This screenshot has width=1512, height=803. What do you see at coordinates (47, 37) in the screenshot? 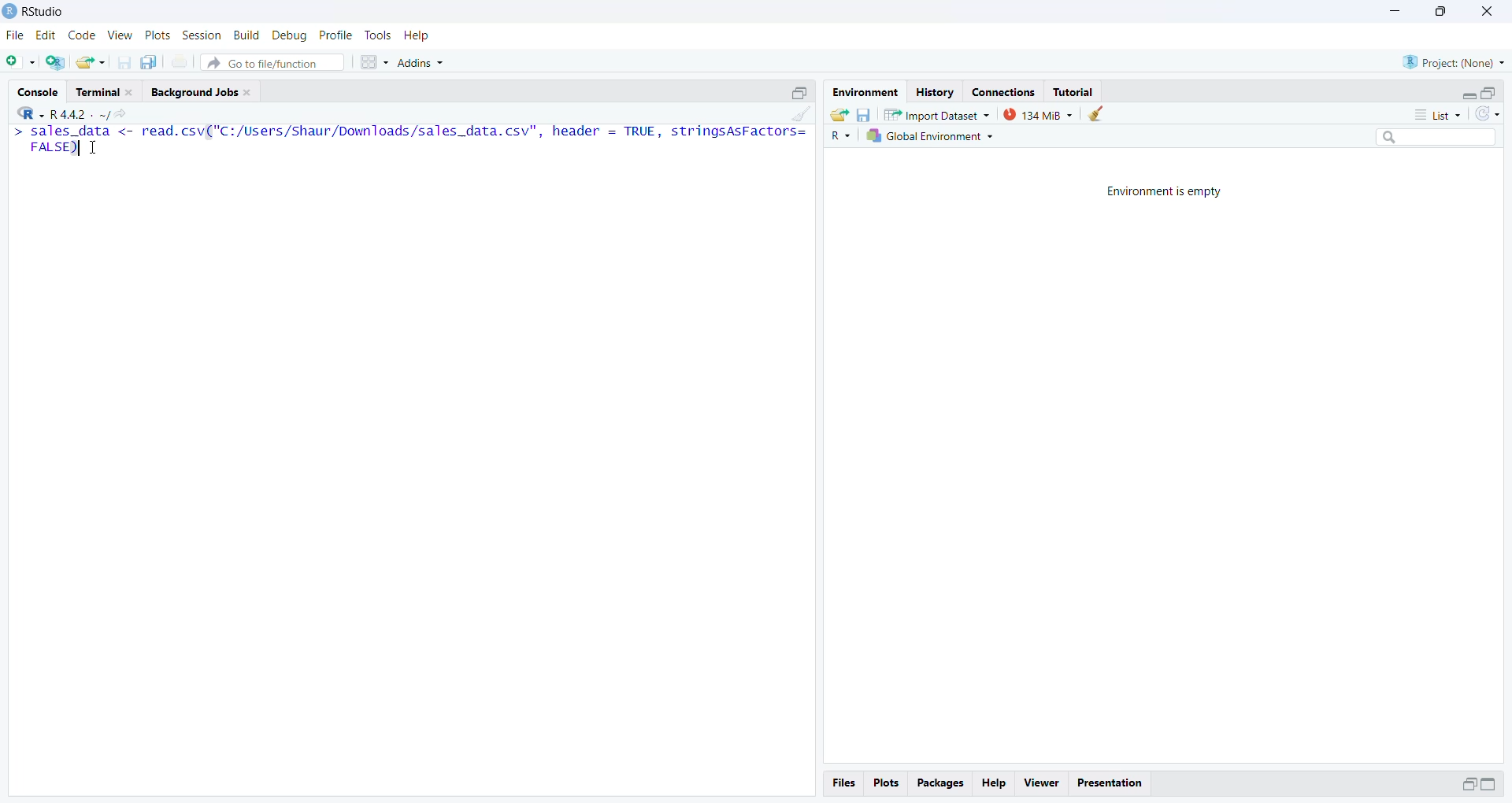
I see `Edit` at bounding box center [47, 37].